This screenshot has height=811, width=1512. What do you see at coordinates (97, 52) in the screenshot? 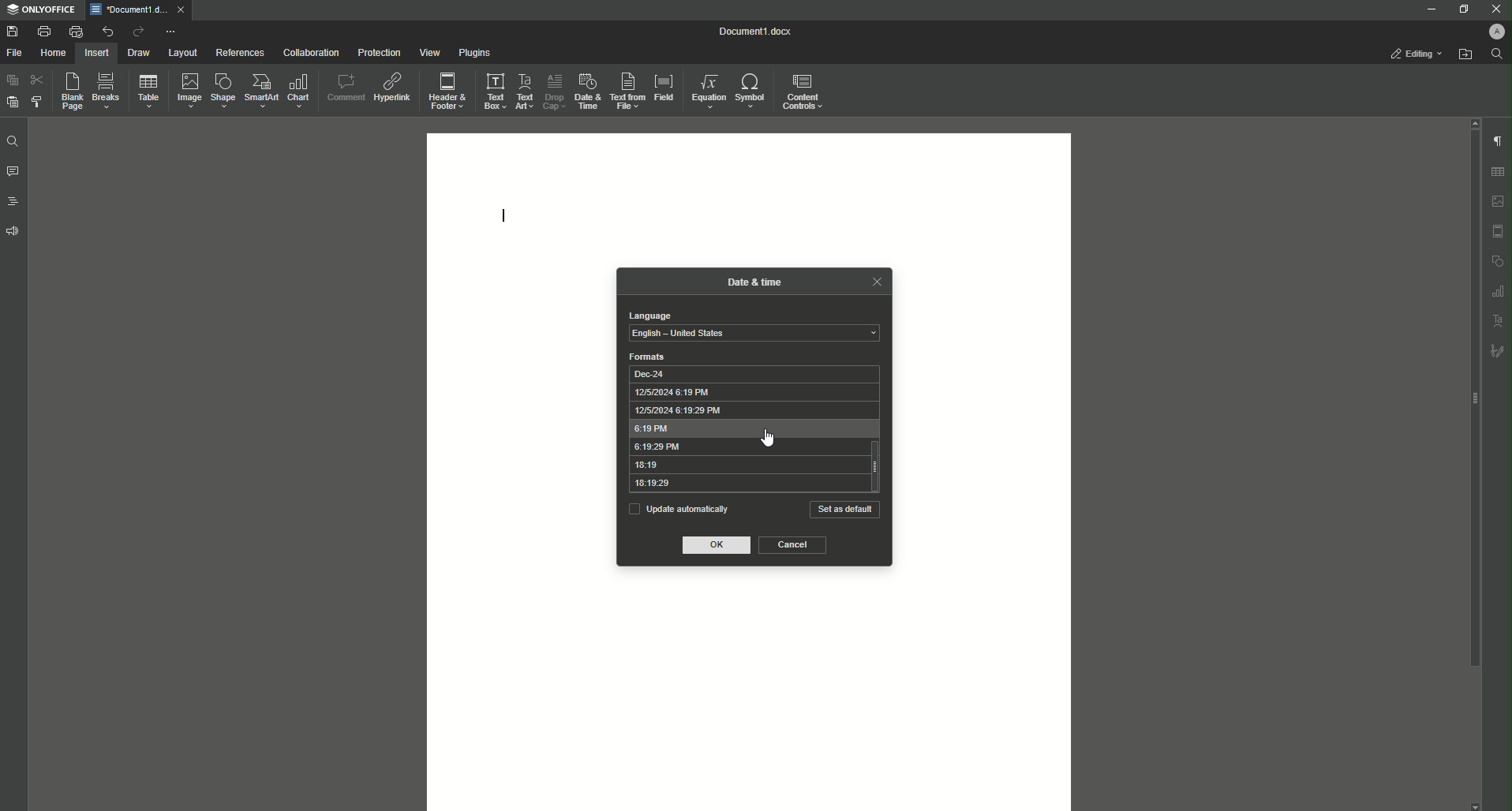
I see `Insert` at bounding box center [97, 52].